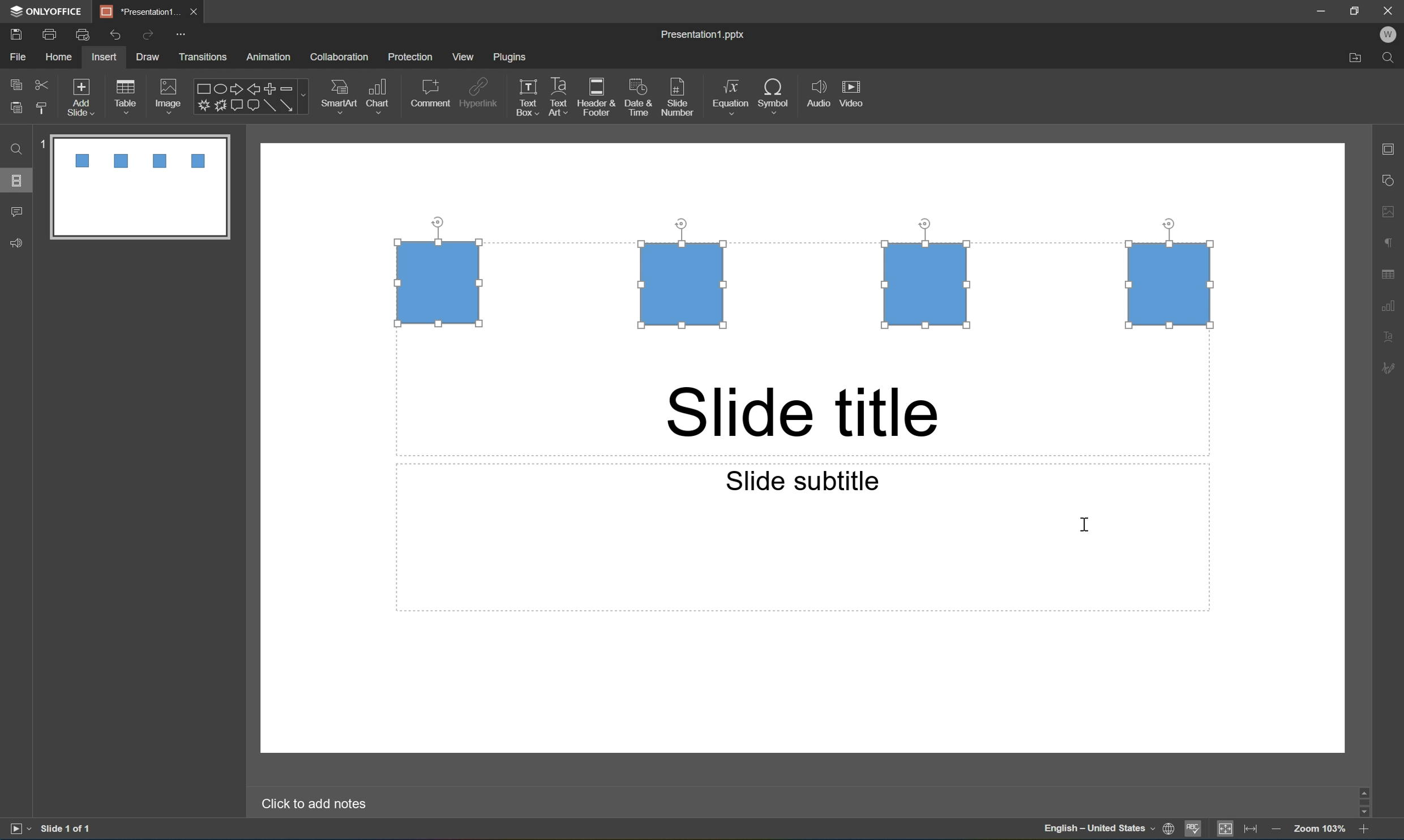 This screenshot has width=1404, height=840. I want to click on text box, so click(524, 98).